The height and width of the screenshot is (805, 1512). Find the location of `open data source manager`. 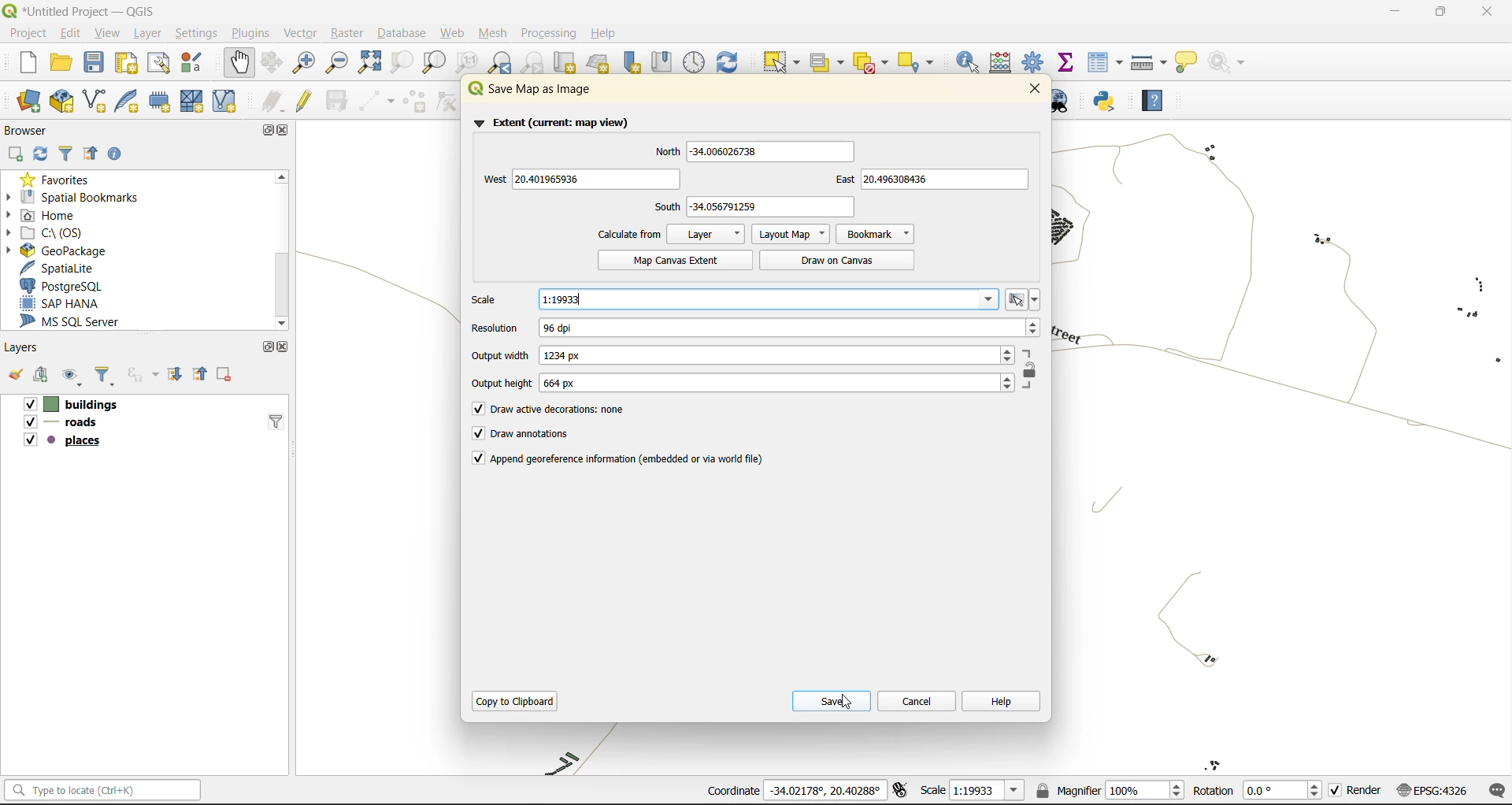

open data source manager is located at coordinates (31, 102).